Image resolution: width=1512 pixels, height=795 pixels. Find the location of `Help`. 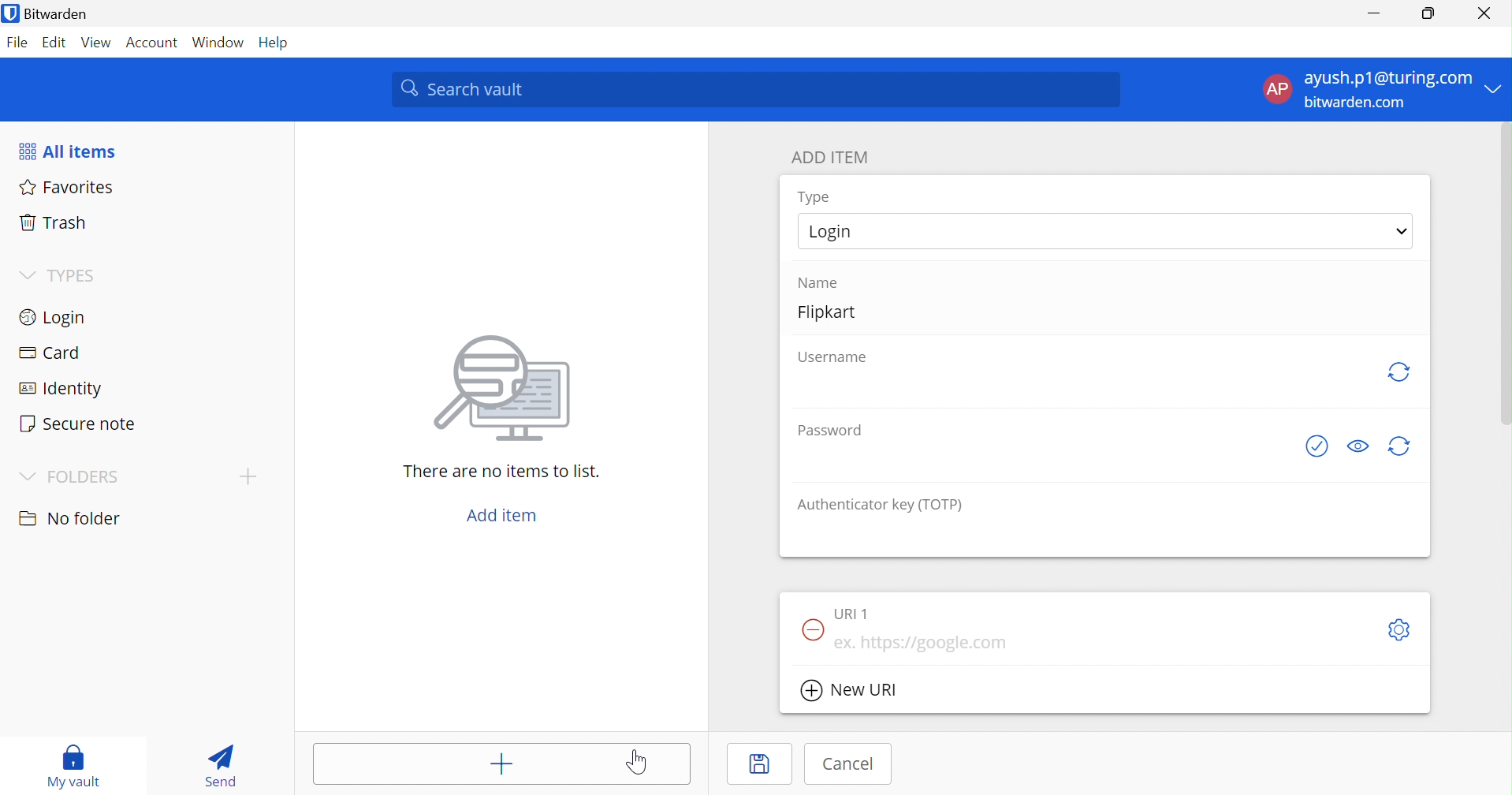

Help is located at coordinates (278, 43).